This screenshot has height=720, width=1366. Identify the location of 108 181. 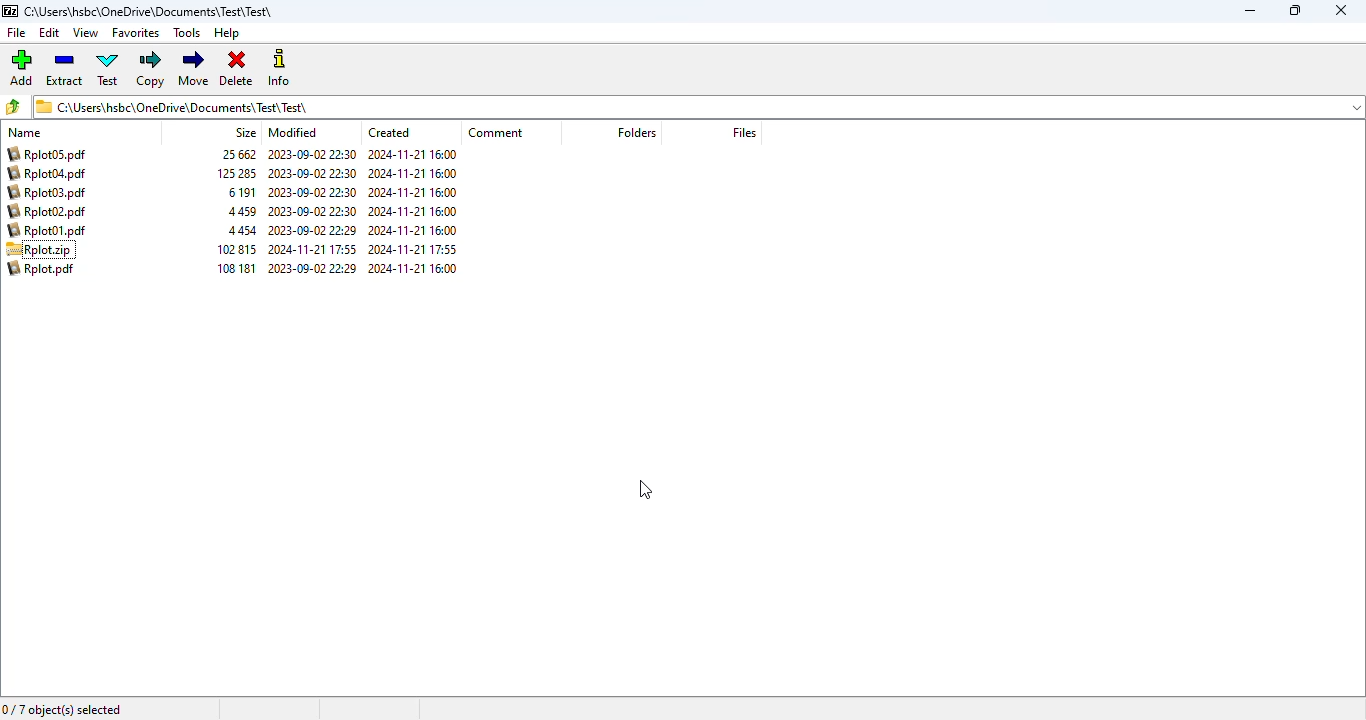
(233, 268).